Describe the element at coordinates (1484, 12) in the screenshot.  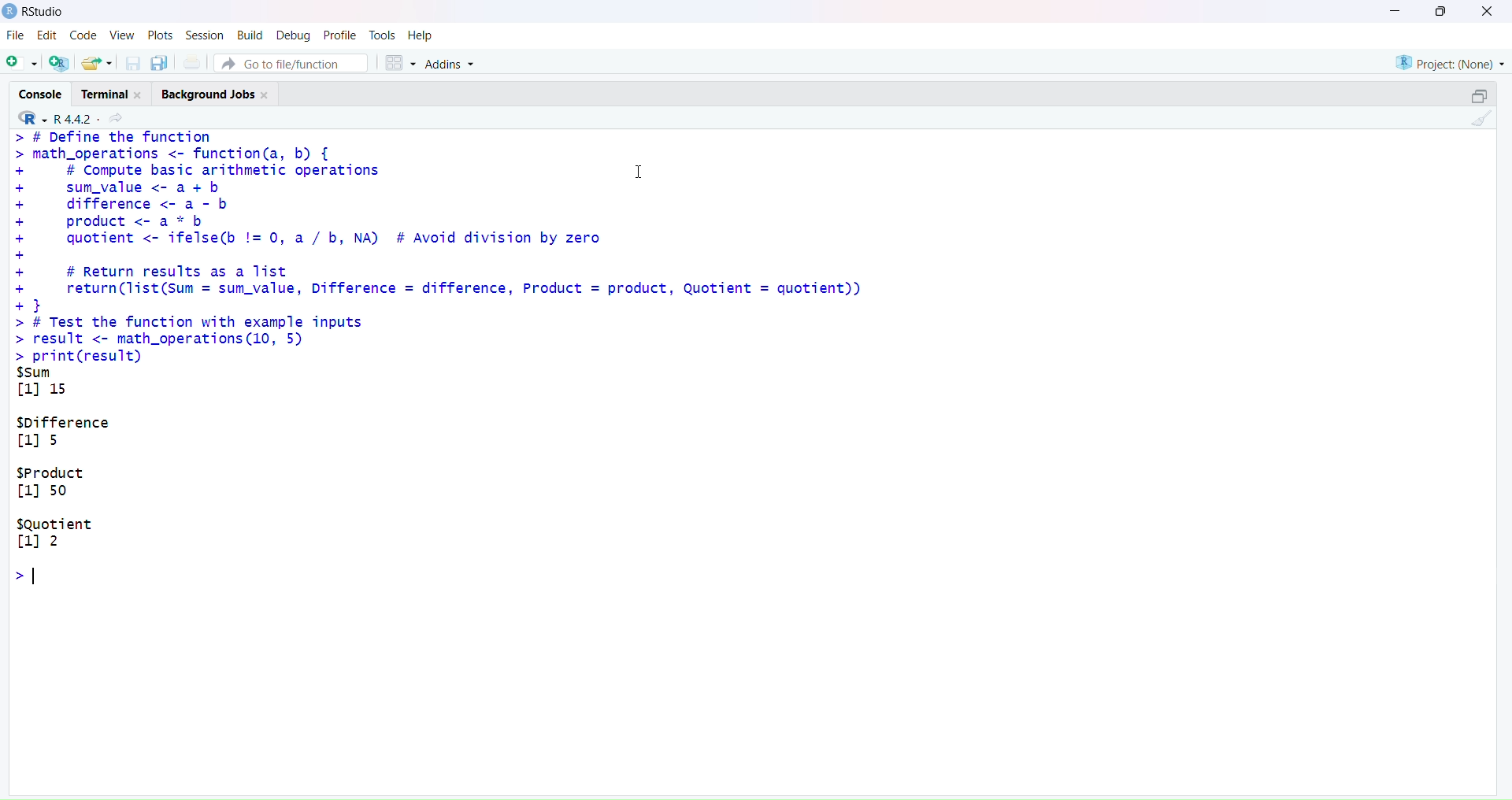
I see `Close` at that location.